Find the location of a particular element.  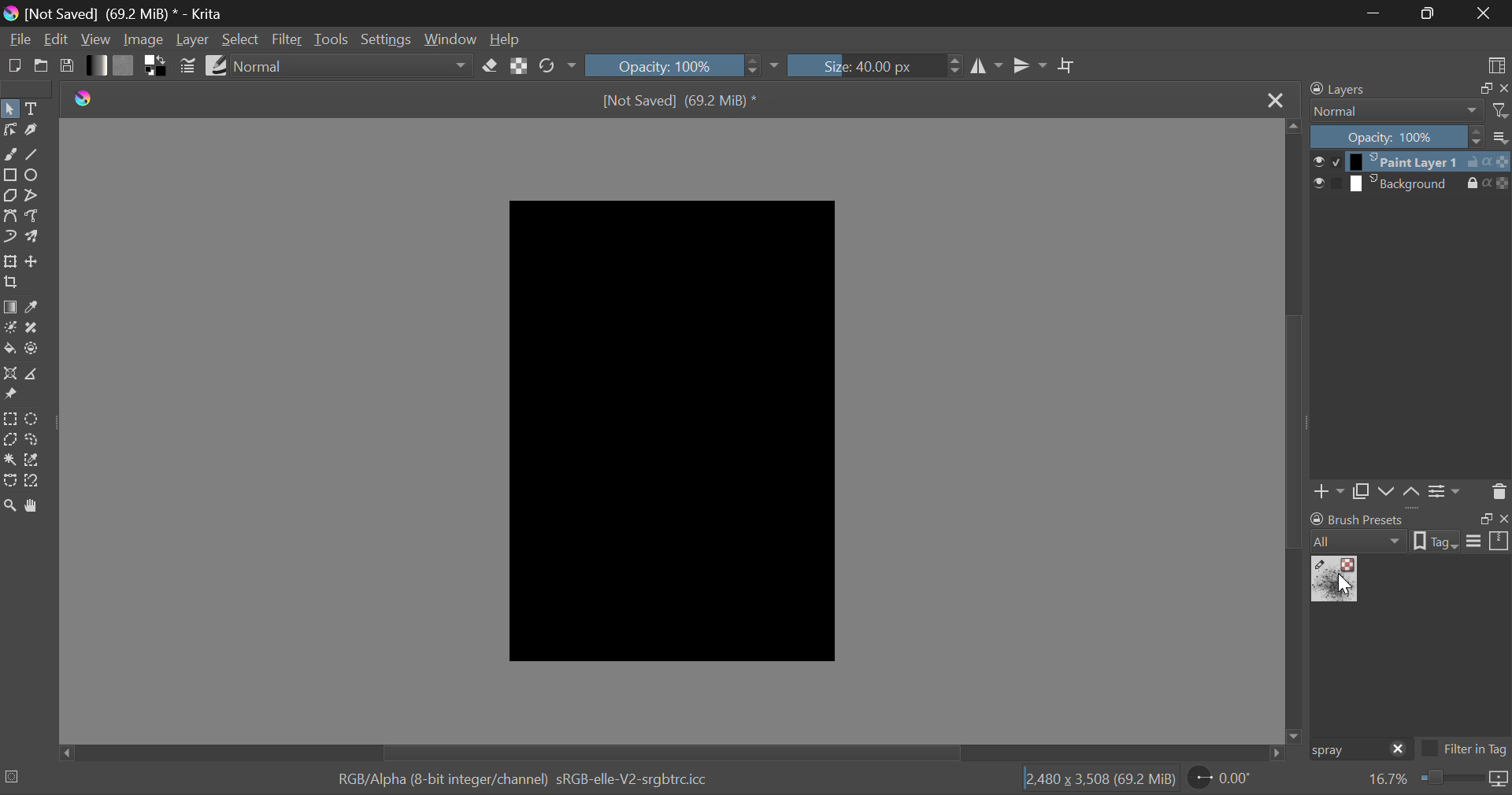

tag is located at coordinates (1436, 543).